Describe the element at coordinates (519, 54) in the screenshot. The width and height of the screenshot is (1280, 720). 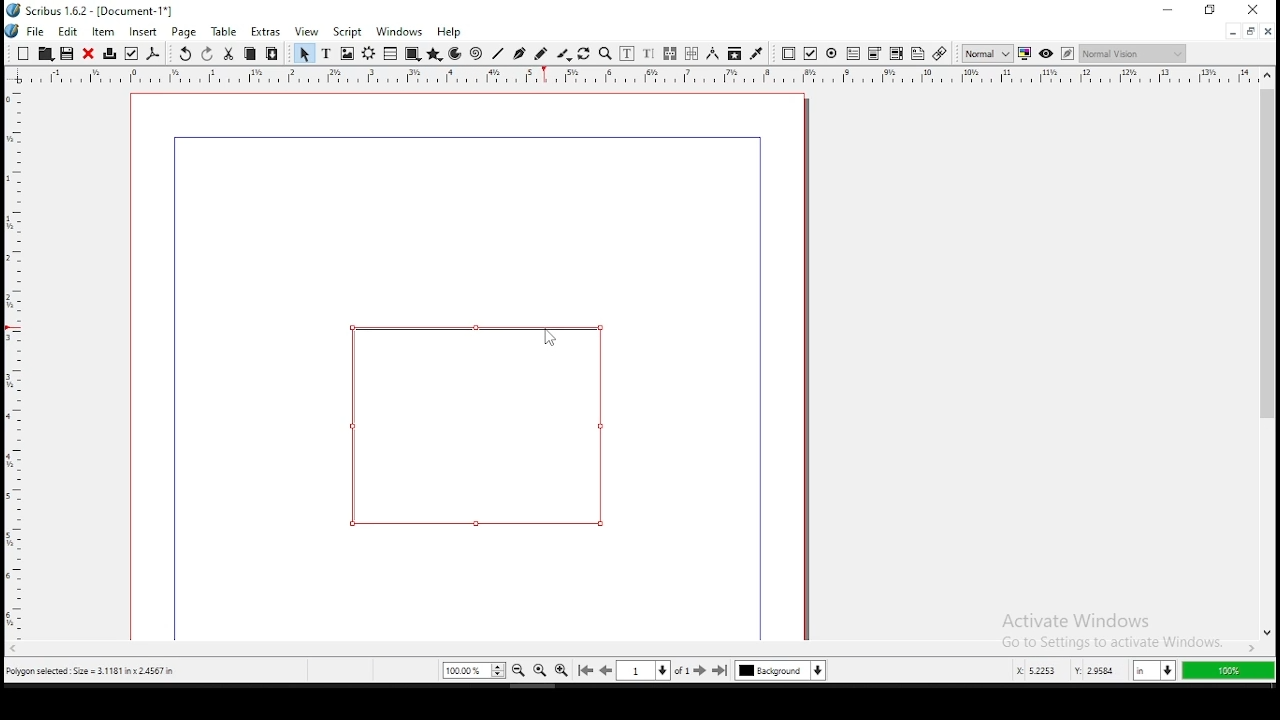
I see `bezier curve` at that location.